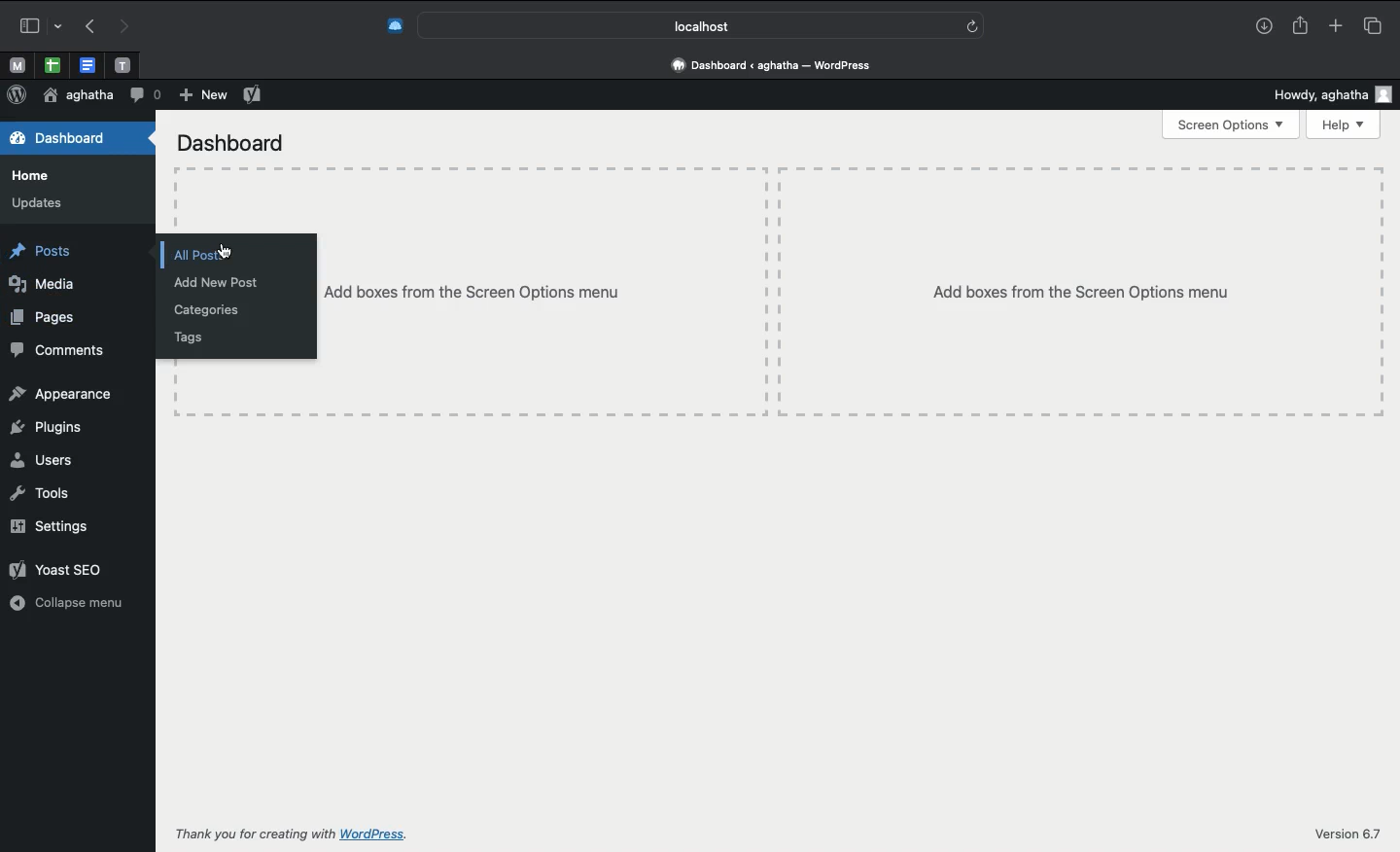  Describe the element at coordinates (43, 494) in the screenshot. I see `Tools` at that location.